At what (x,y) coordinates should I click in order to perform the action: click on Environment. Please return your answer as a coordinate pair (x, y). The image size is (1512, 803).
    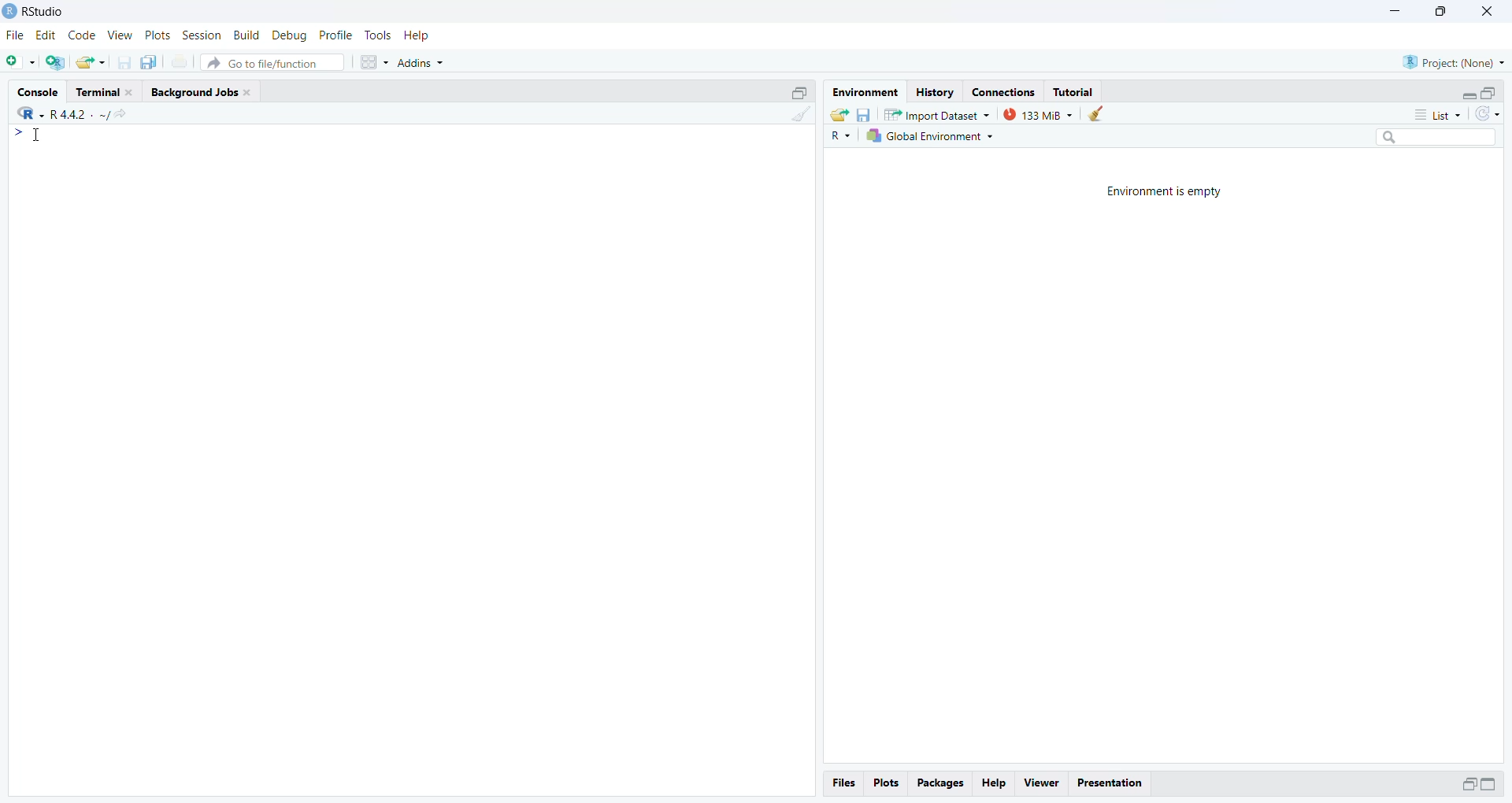
    Looking at the image, I should click on (863, 93).